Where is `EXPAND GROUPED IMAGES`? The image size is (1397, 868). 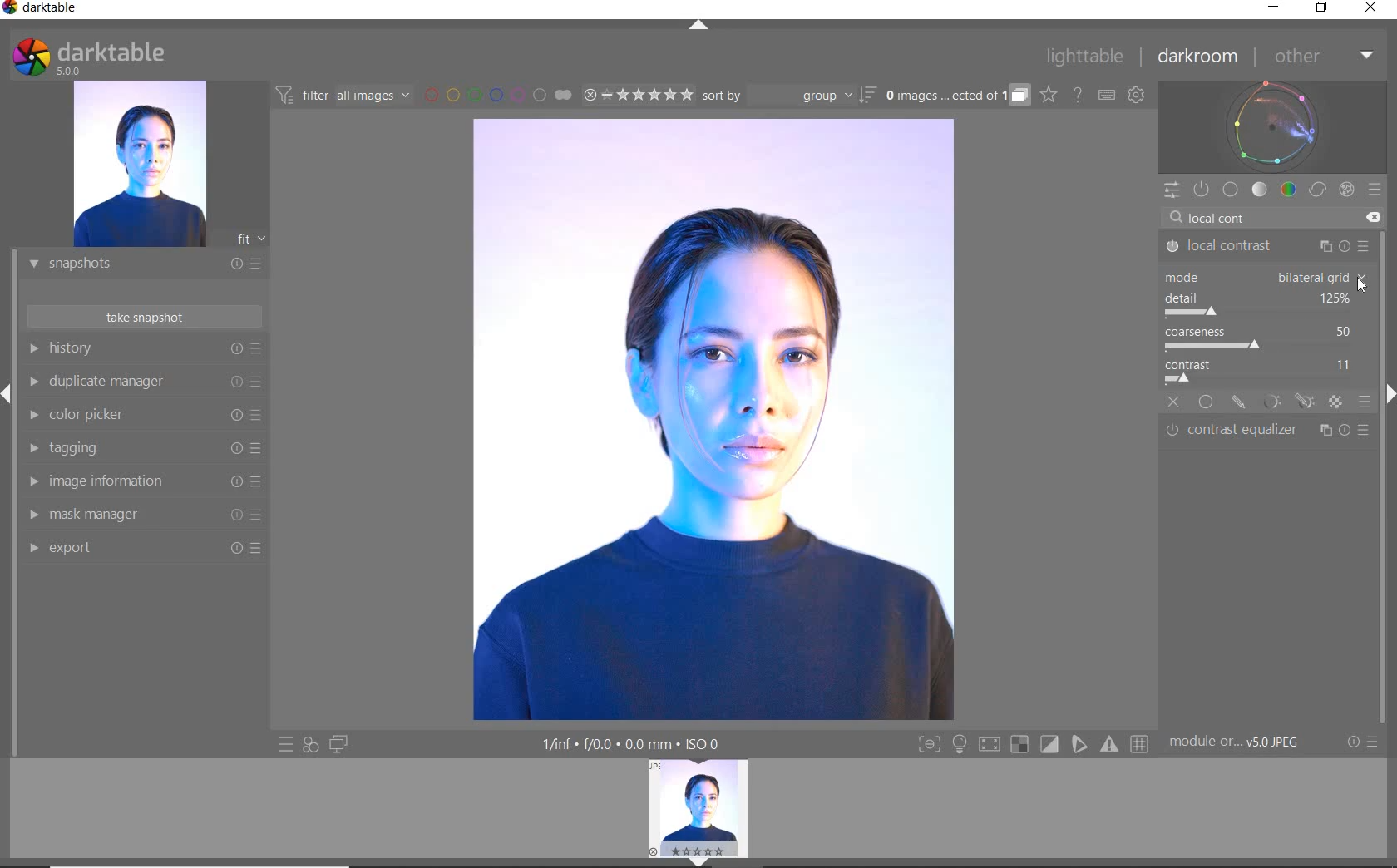
EXPAND GROUPED IMAGES is located at coordinates (957, 96).